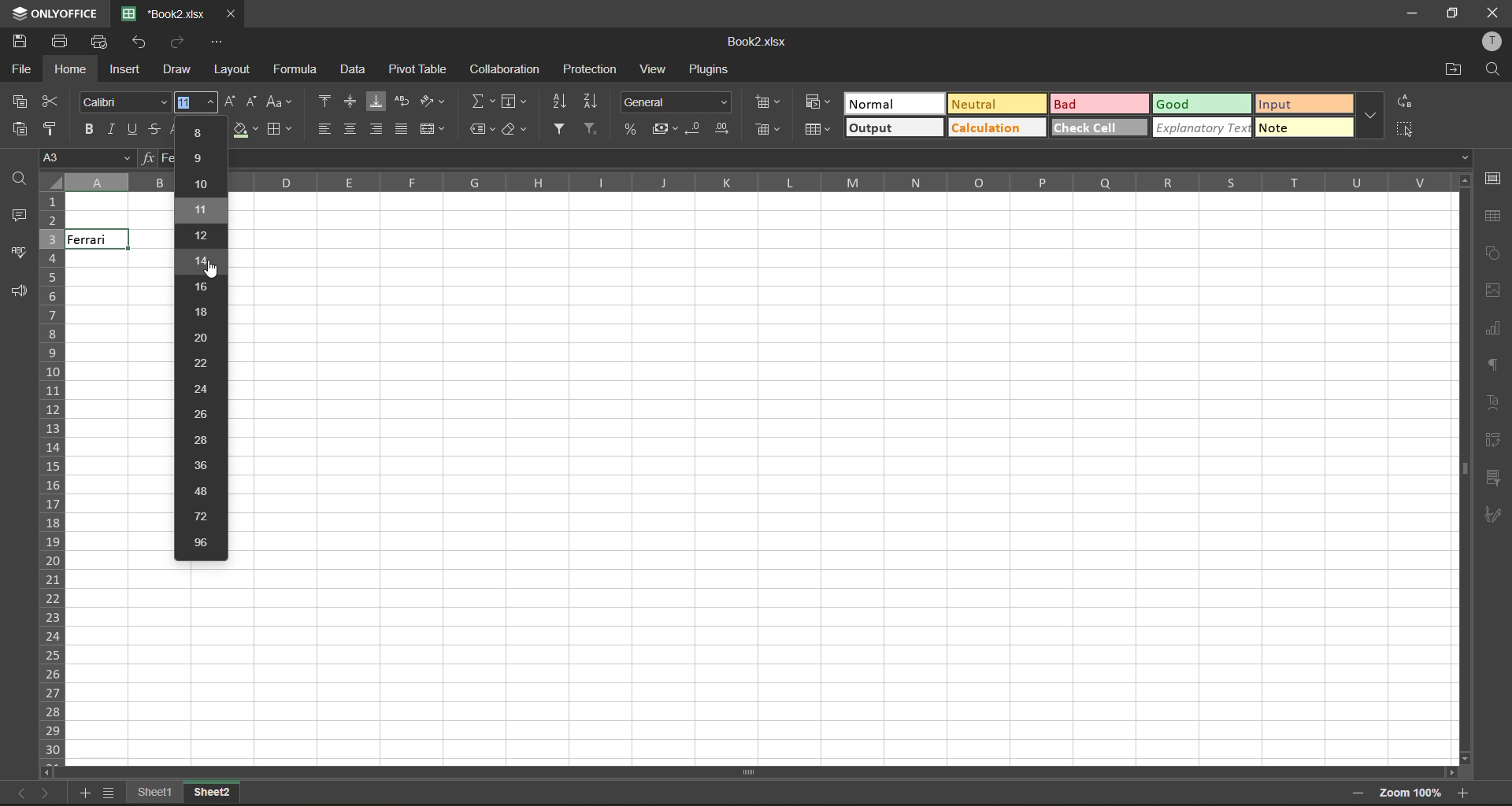 The image size is (1512, 806). I want to click on orientation, so click(432, 100).